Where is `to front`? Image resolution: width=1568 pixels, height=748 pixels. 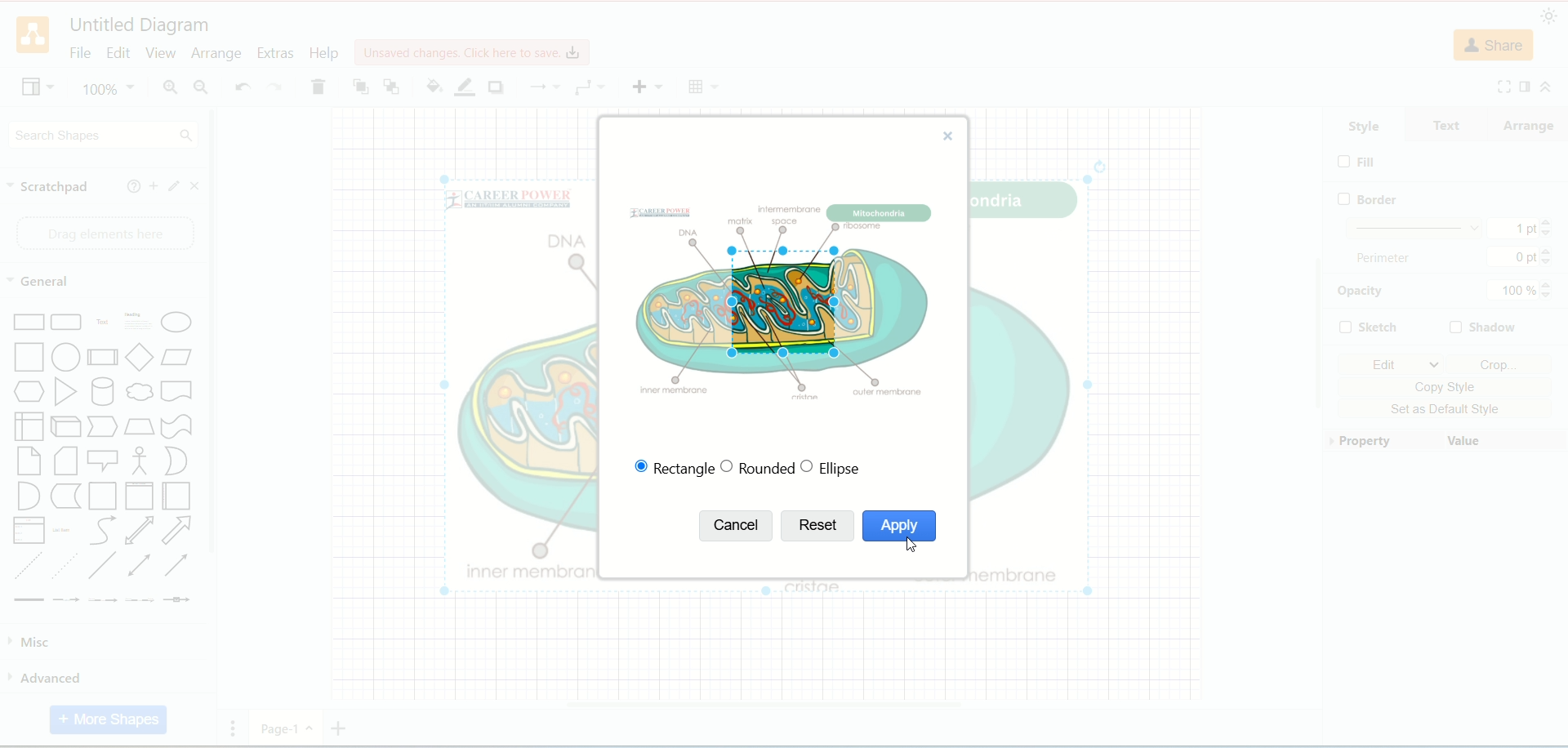 to front is located at coordinates (359, 86).